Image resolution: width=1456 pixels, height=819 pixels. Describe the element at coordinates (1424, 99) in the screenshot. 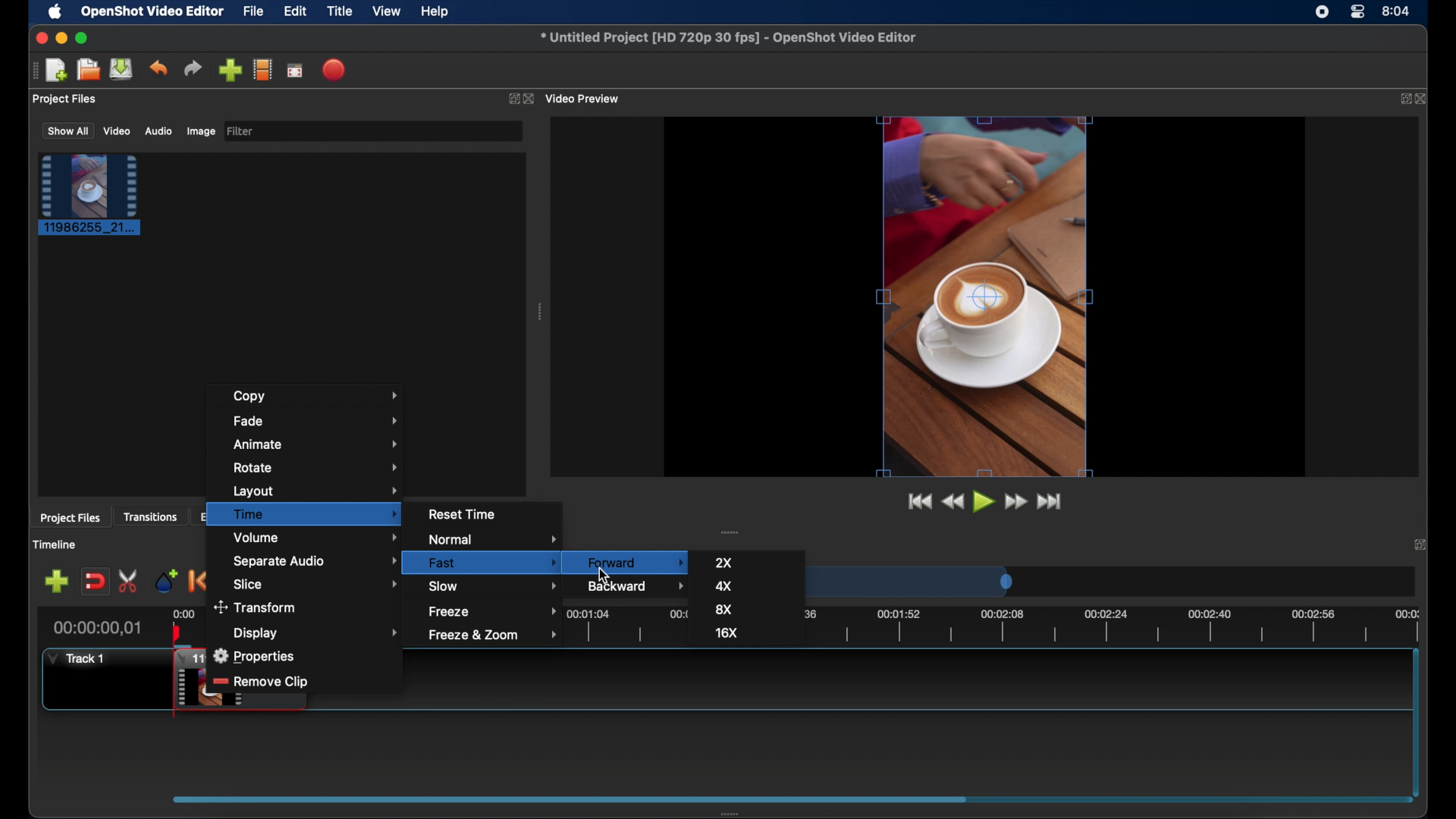

I see `close` at that location.